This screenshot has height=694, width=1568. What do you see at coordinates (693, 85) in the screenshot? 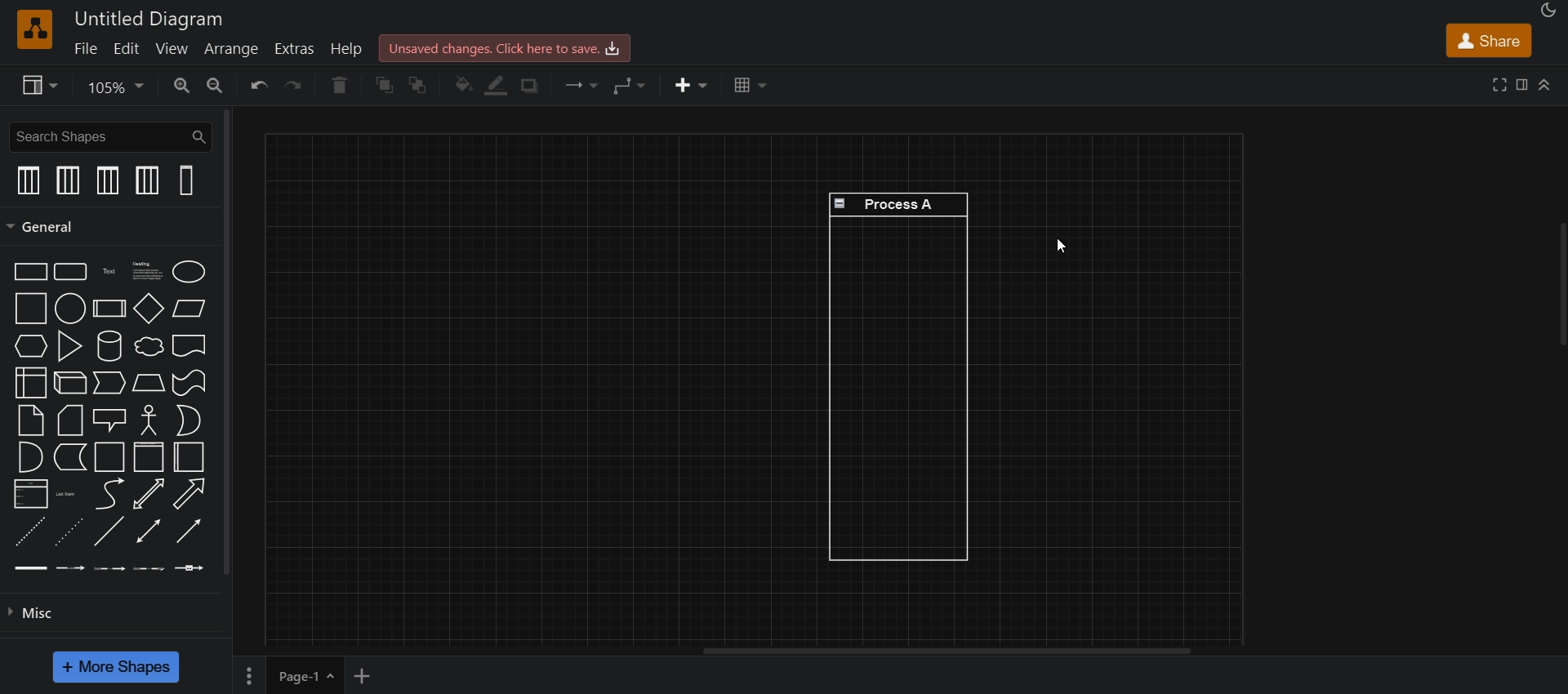
I see `insert` at bounding box center [693, 85].